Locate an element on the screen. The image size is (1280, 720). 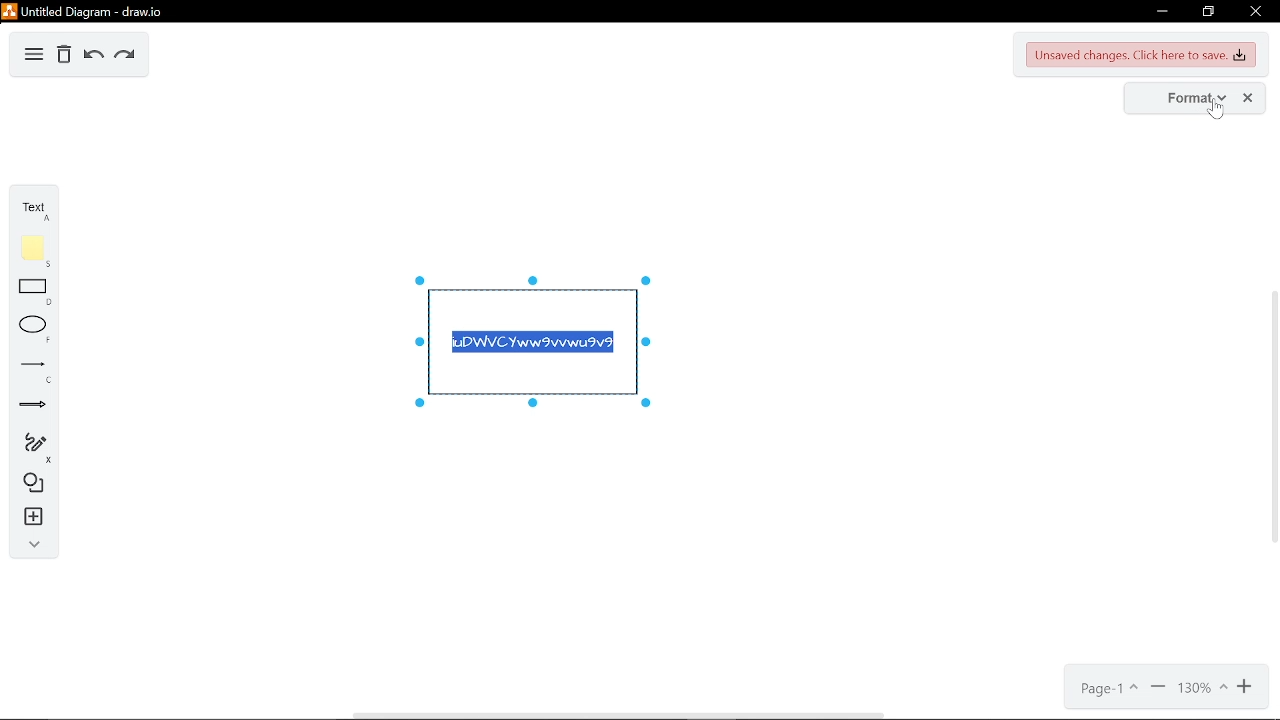
ellipse is located at coordinates (29, 327).